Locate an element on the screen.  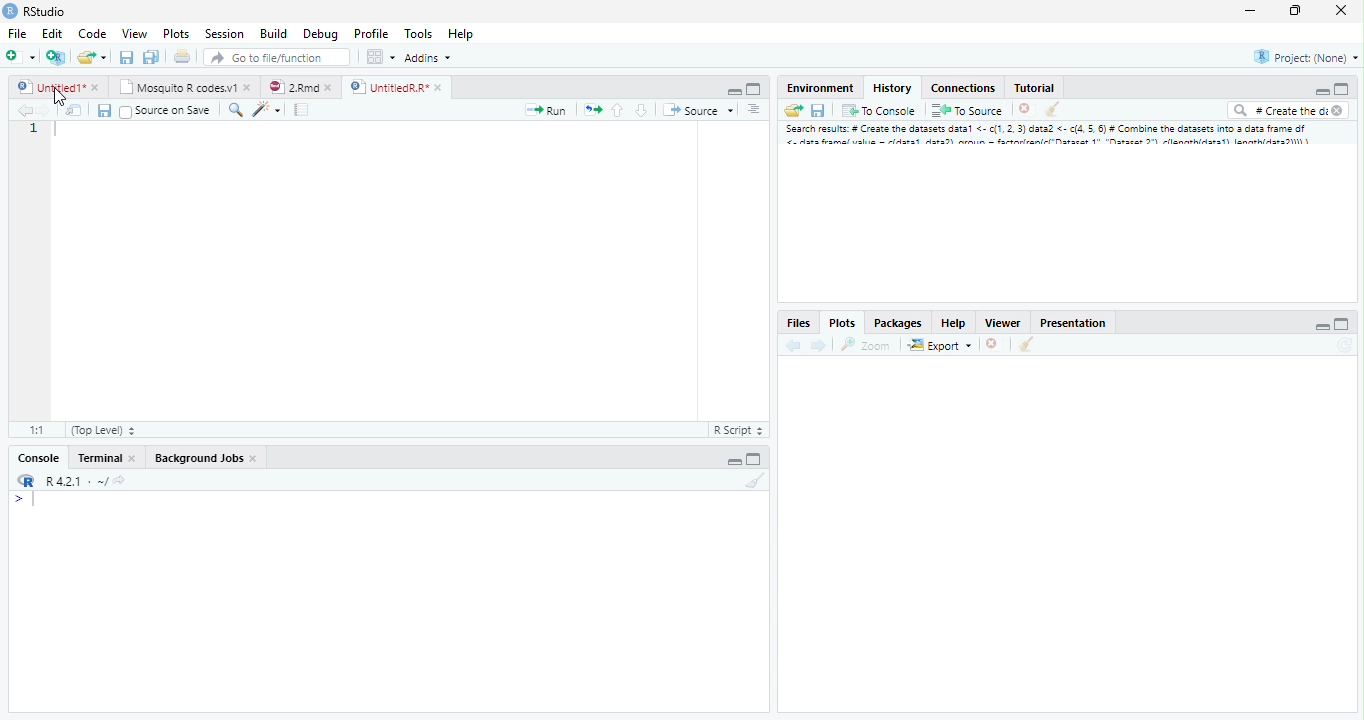
Tools is located at coordinates (420, 35).